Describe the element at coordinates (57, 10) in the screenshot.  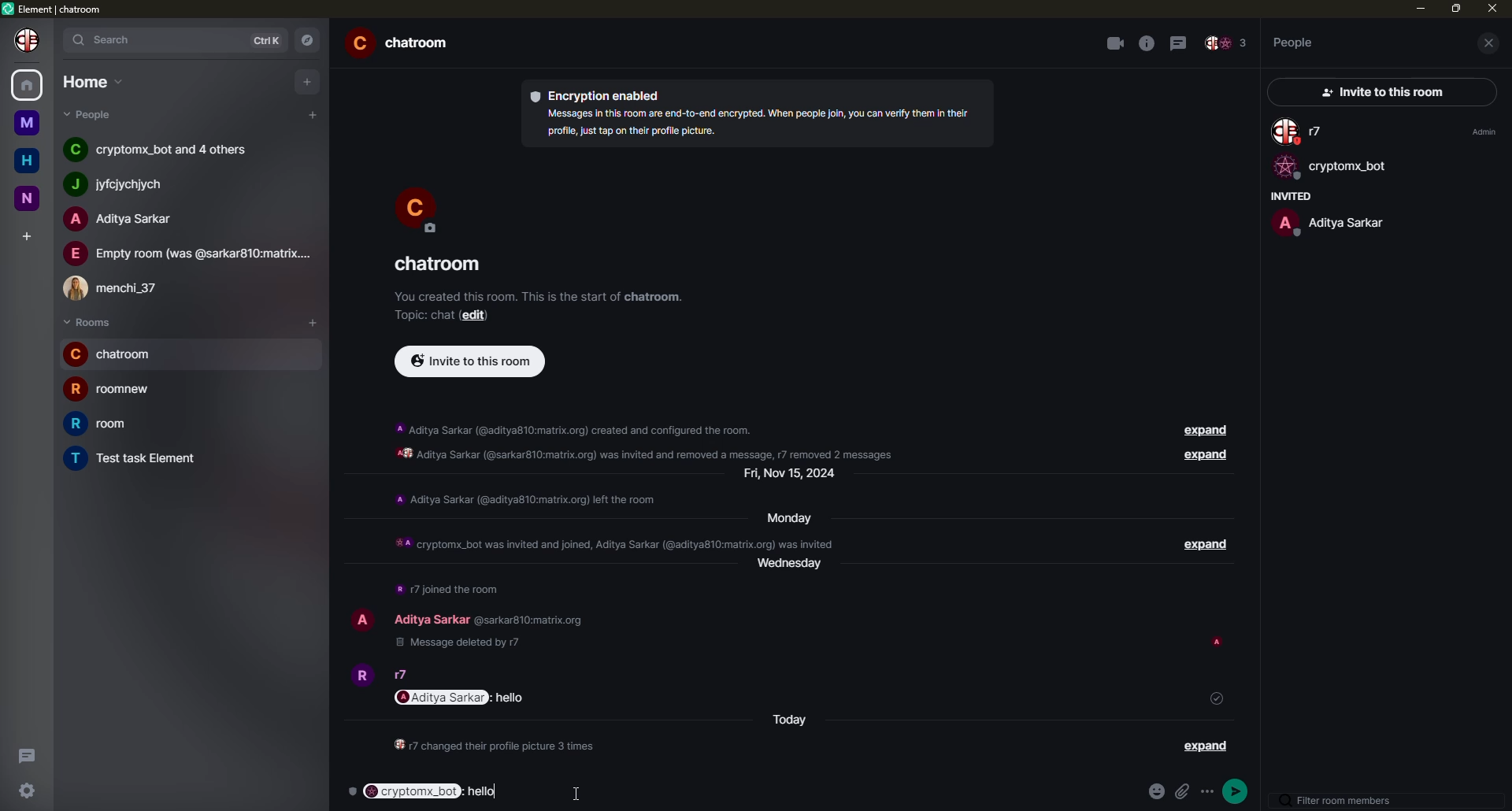
I see `element` at that location.